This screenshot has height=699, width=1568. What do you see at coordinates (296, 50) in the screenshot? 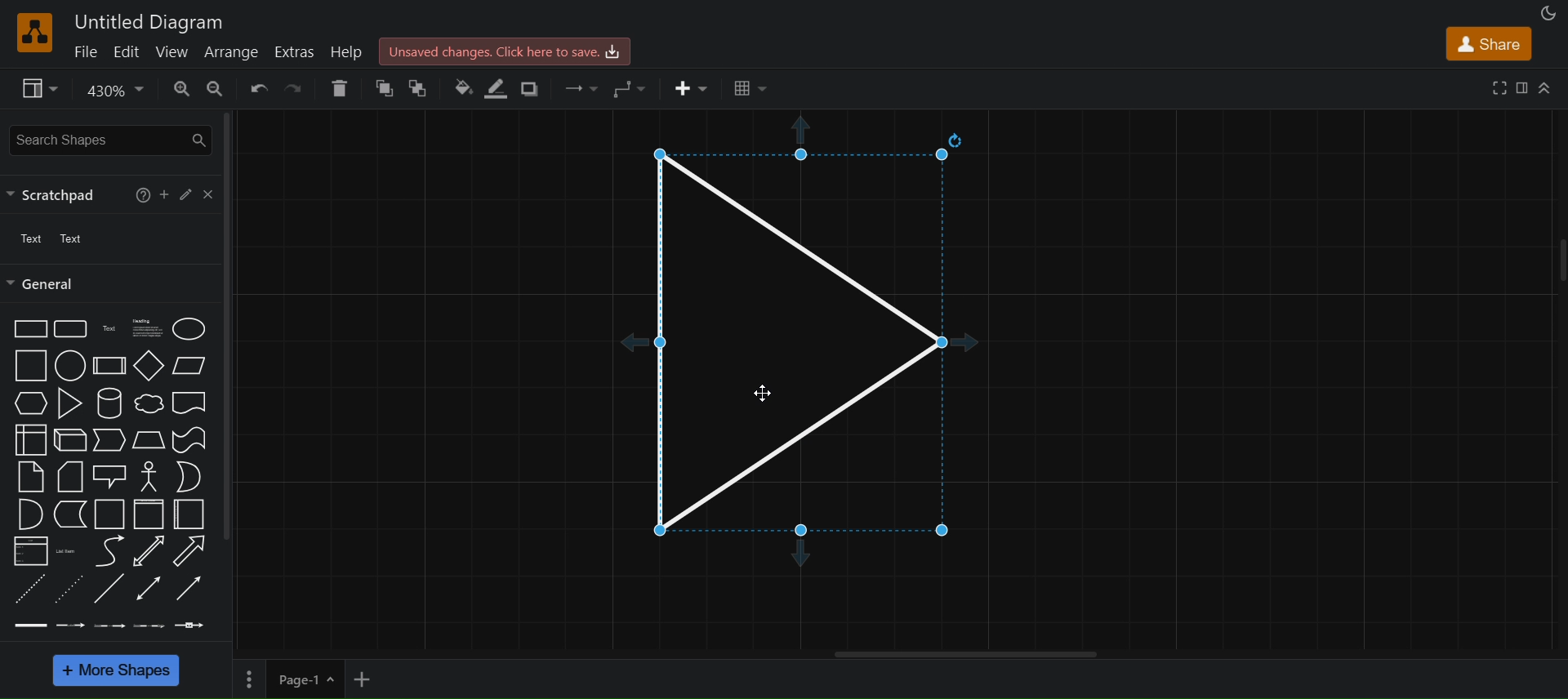
I see `extras` at bounding box center [296, 50].